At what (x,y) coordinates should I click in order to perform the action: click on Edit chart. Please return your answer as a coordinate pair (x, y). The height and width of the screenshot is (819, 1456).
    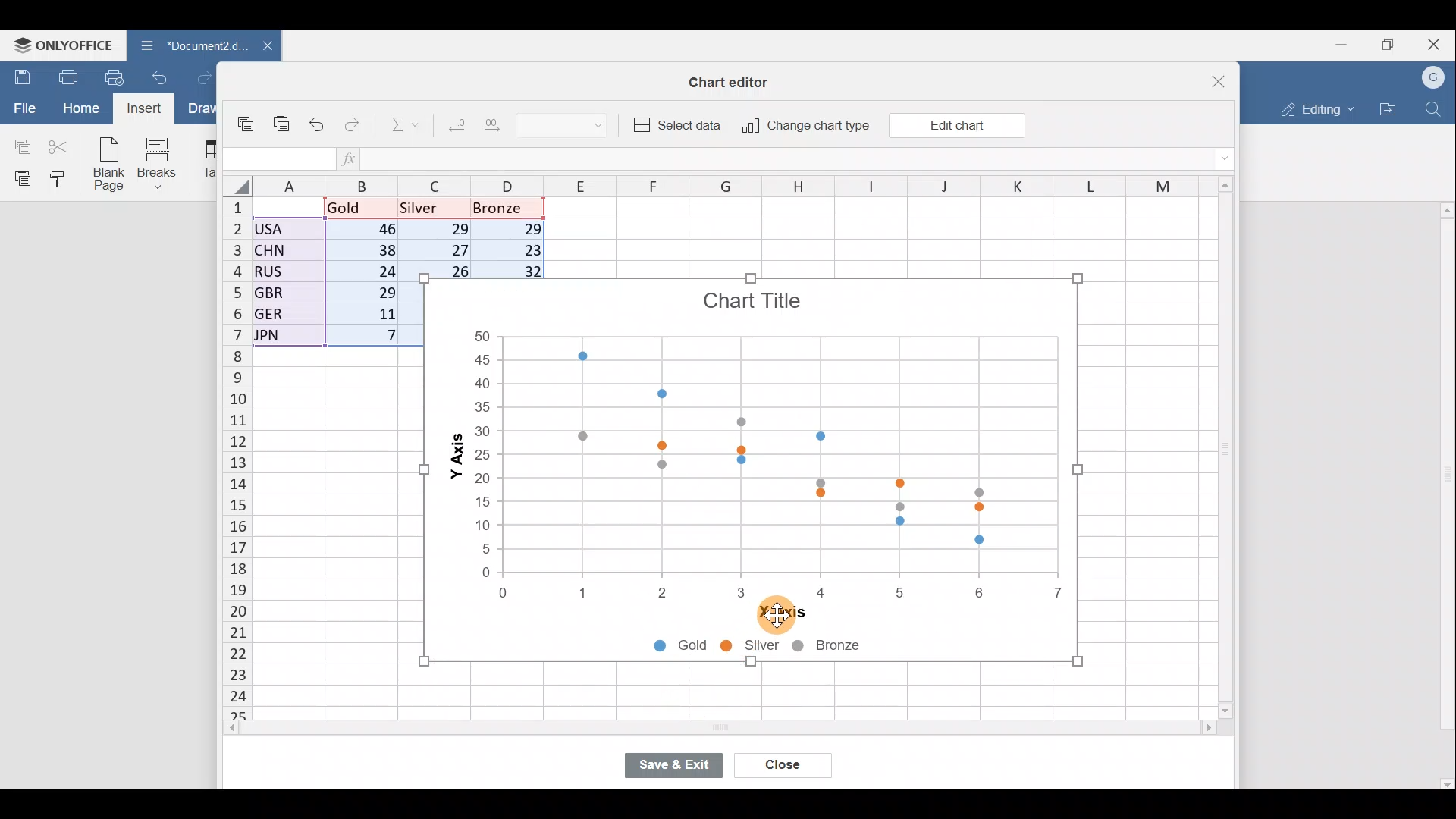
    Looking at the image, I should click on (955, 124).